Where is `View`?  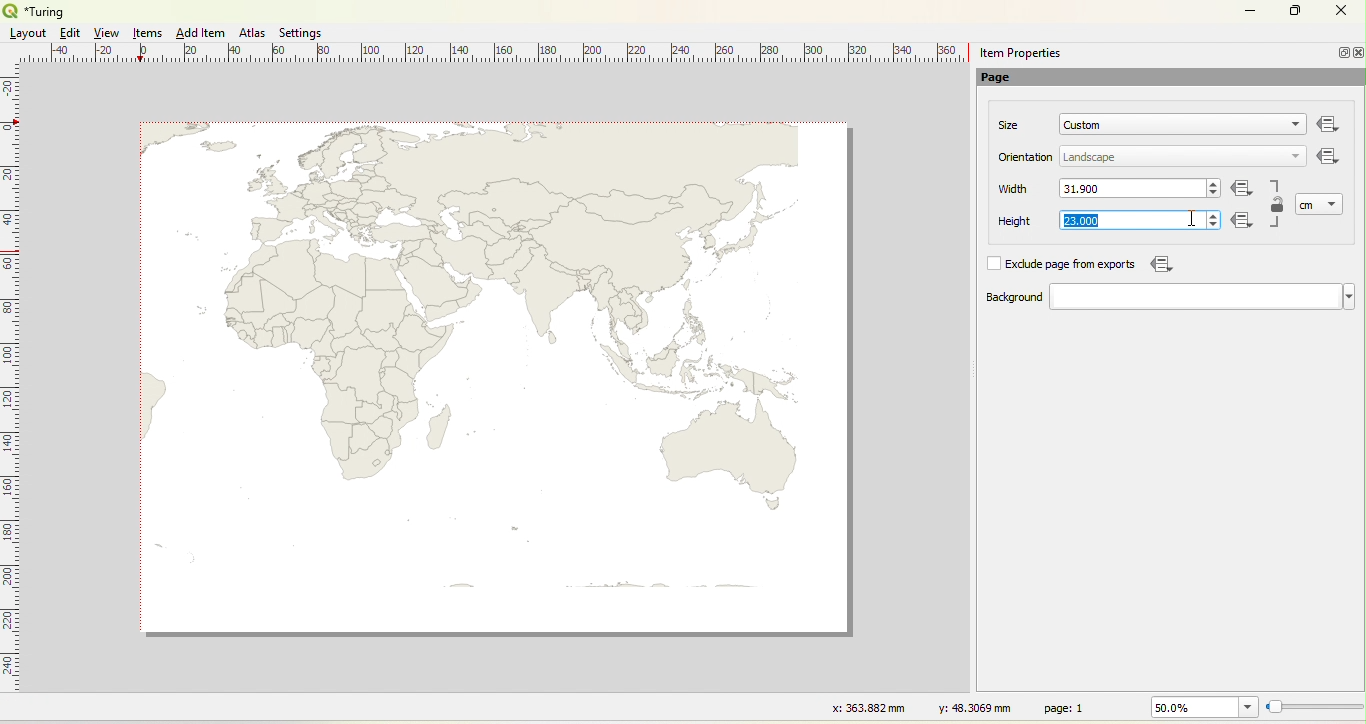 View is located at coordinates (108, 33).